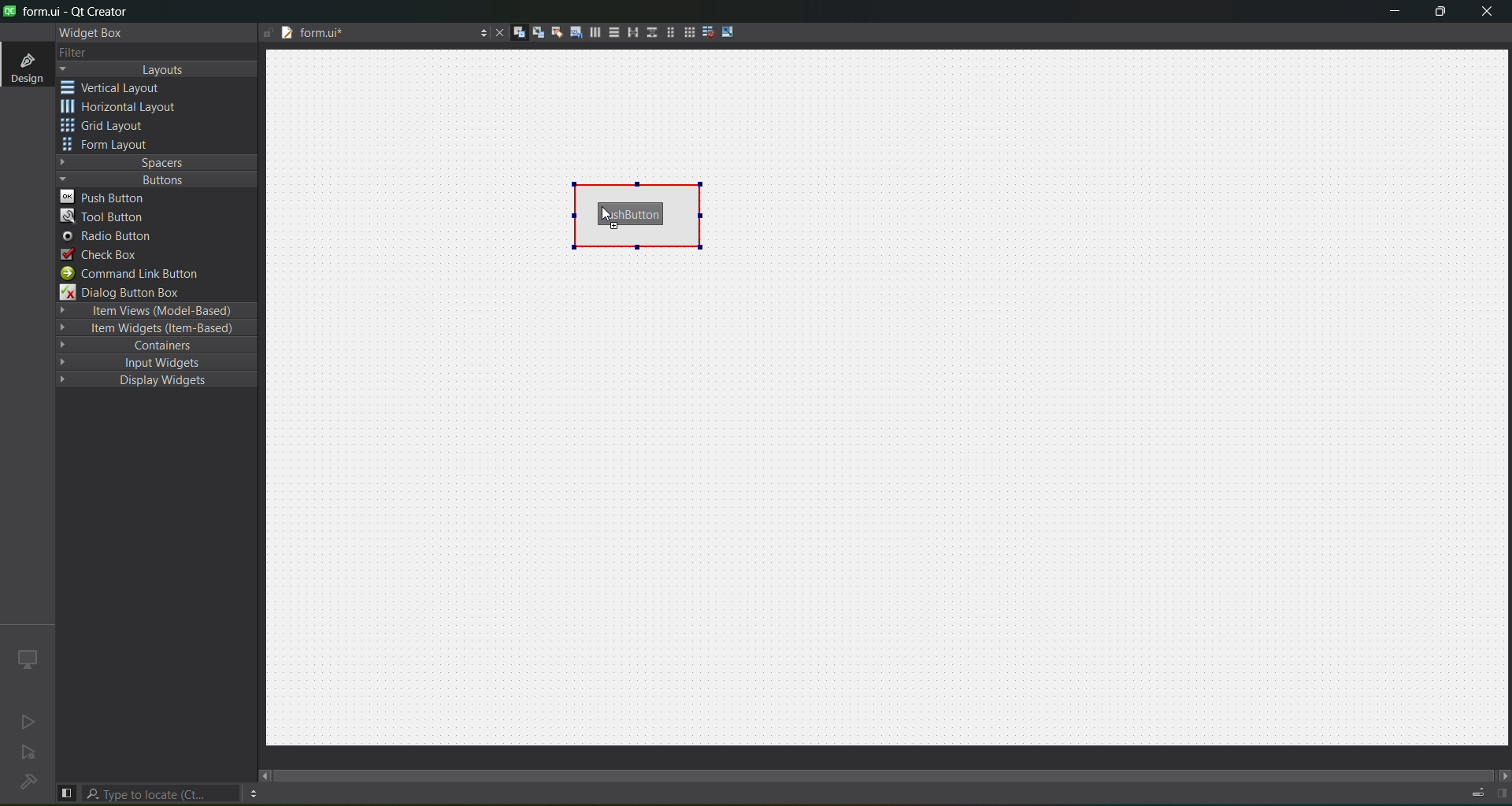 Image resolution: width=1512 pixels, height=806 pixels. Describe the element at coordinates (25, 783) in the screenshot. I see `no project loading` at that location.